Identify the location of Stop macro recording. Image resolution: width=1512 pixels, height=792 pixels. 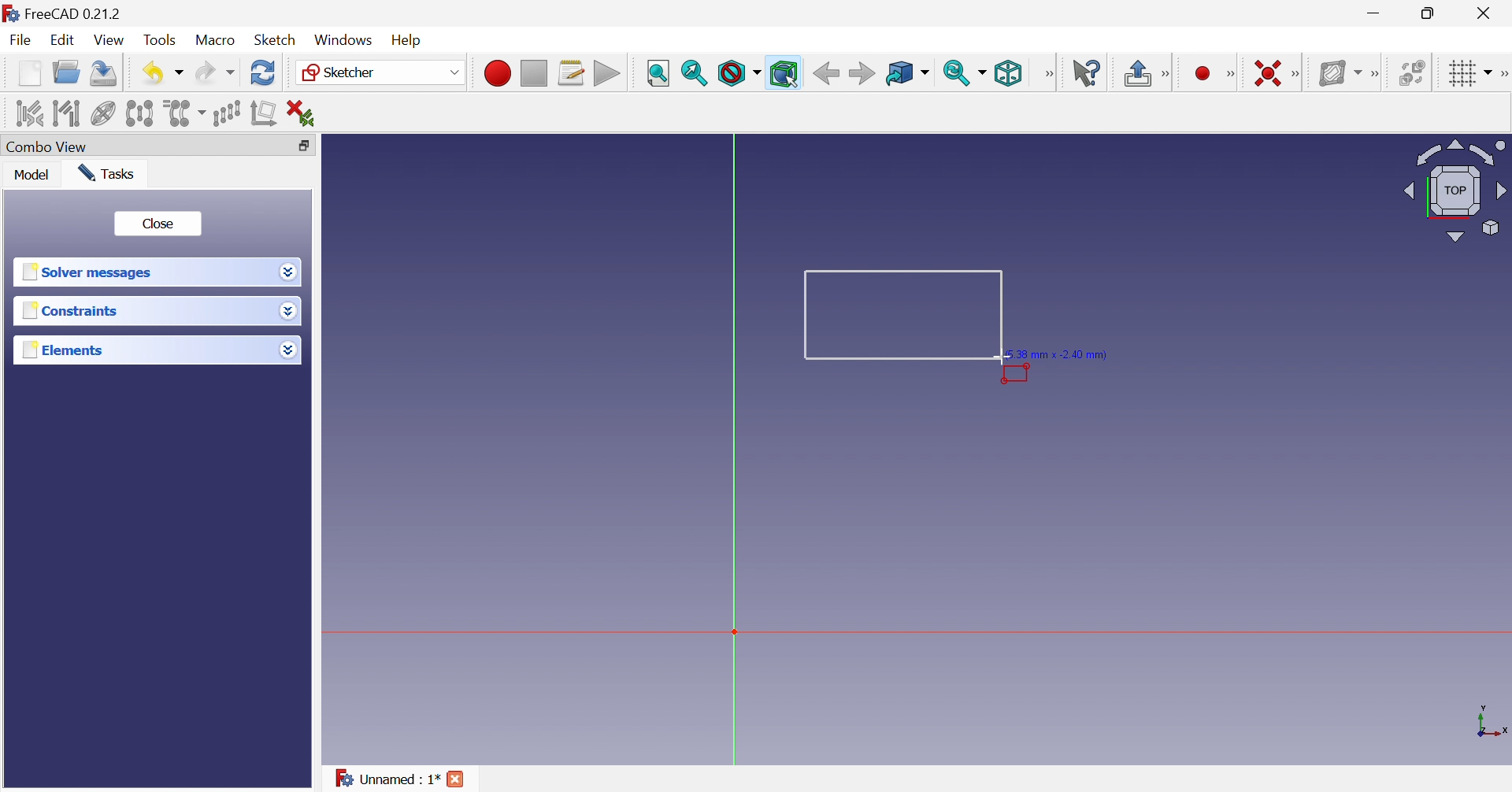
(534, 72).